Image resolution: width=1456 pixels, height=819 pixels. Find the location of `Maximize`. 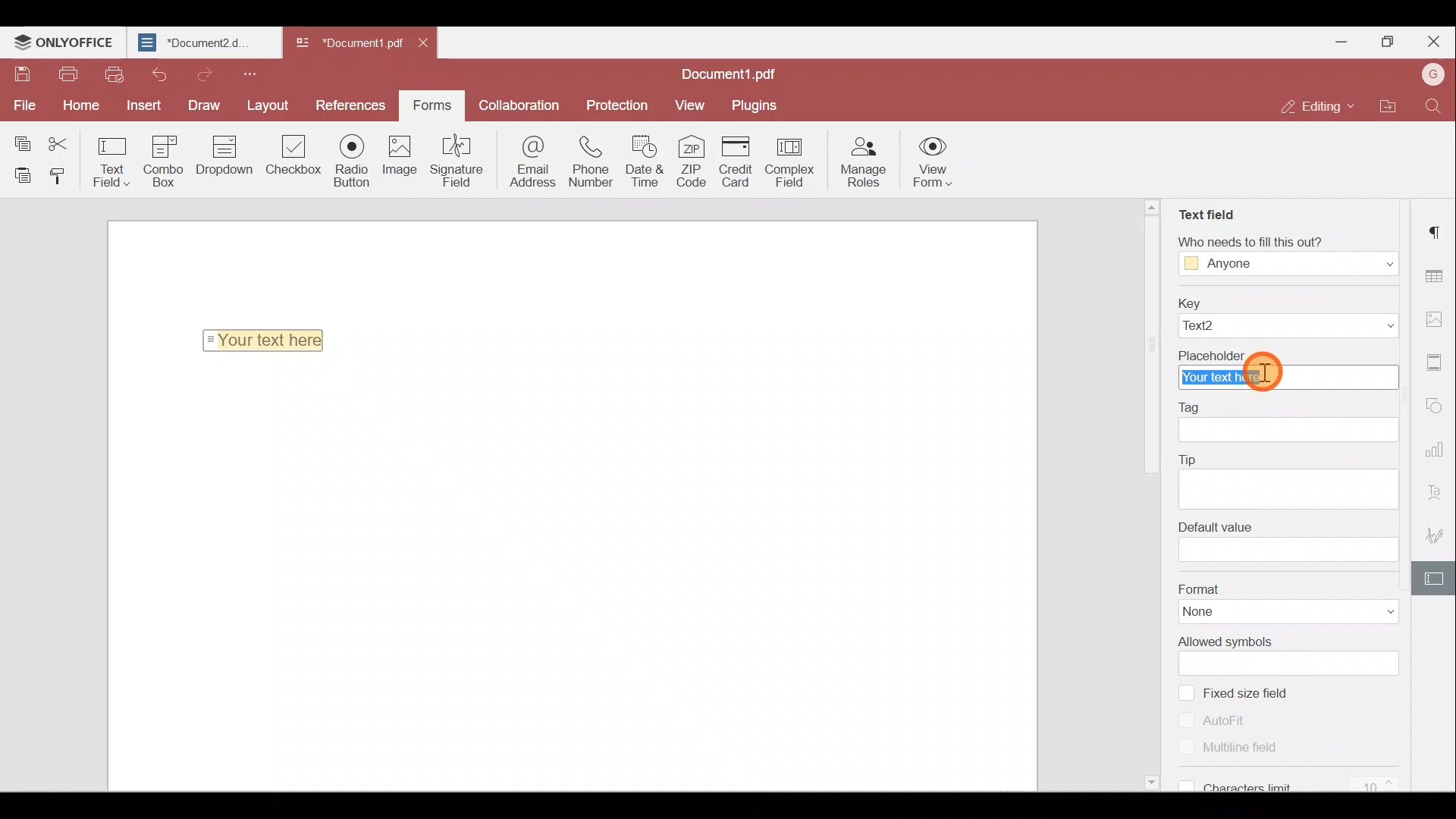

Maximize is located at coordinates (1387, 38).